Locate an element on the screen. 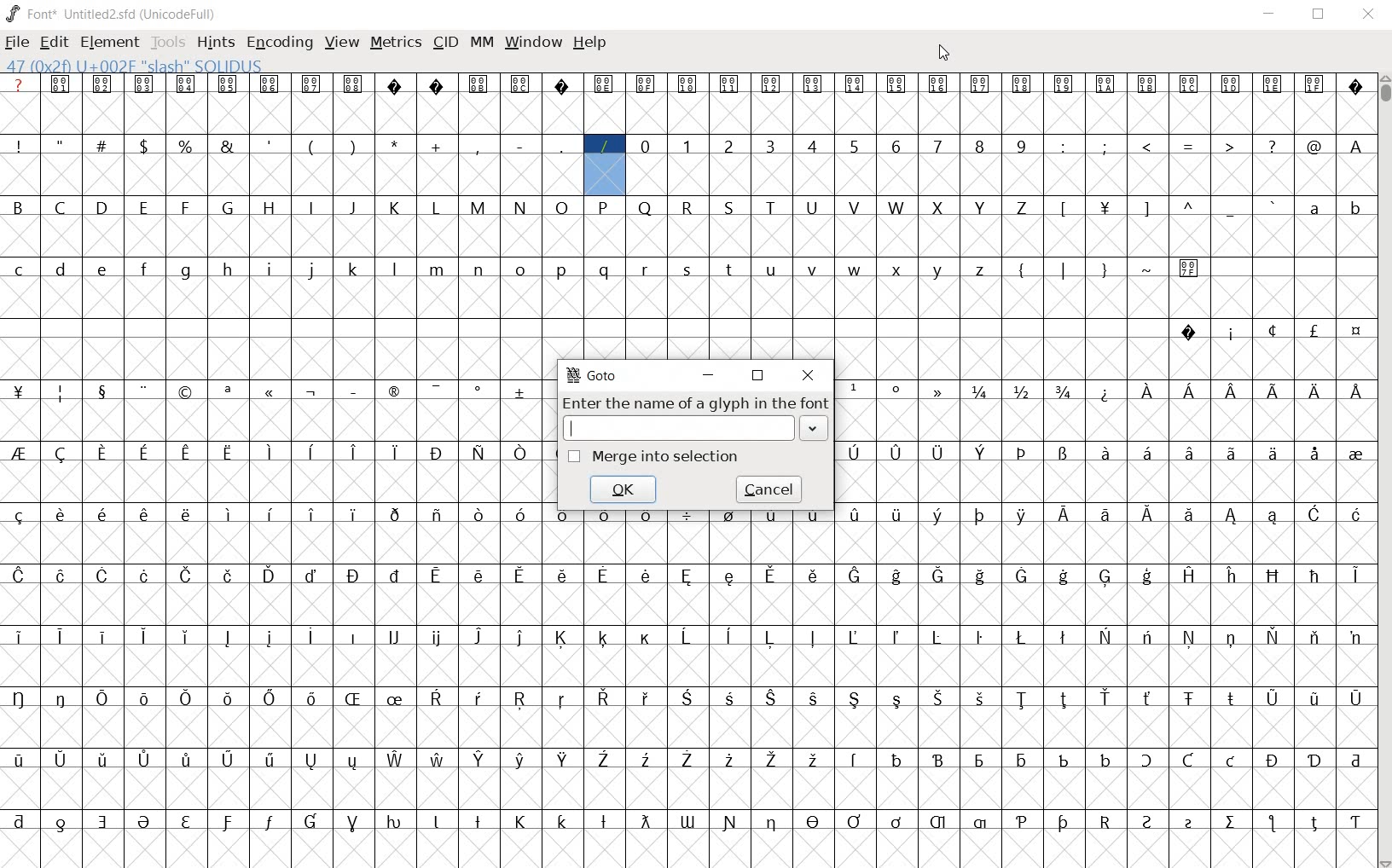  glyph is located at coordinates (105, 270).